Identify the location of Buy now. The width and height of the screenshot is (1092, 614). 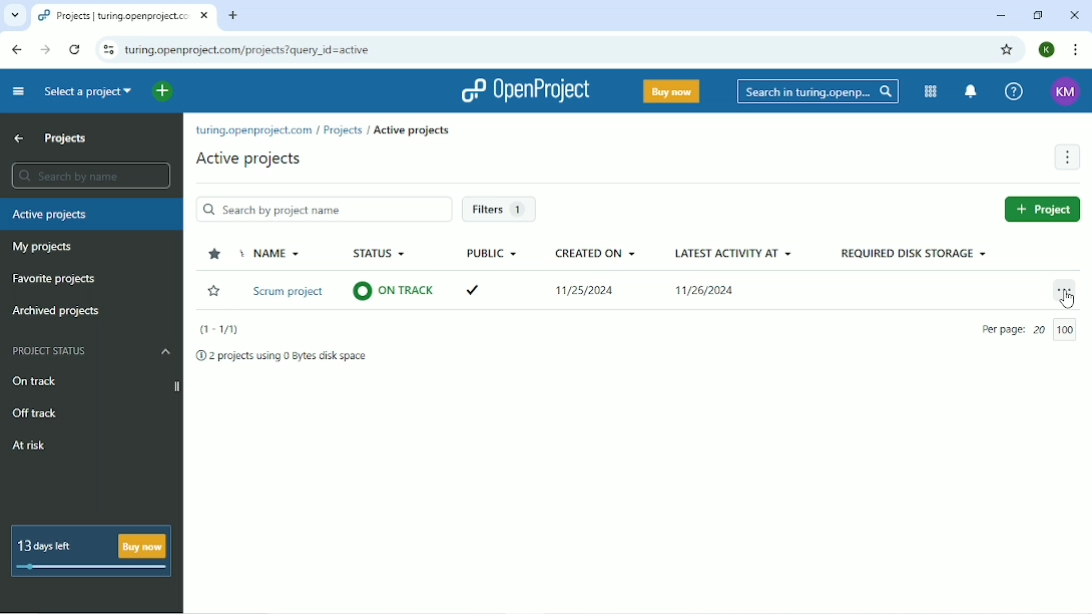
(145, 542).